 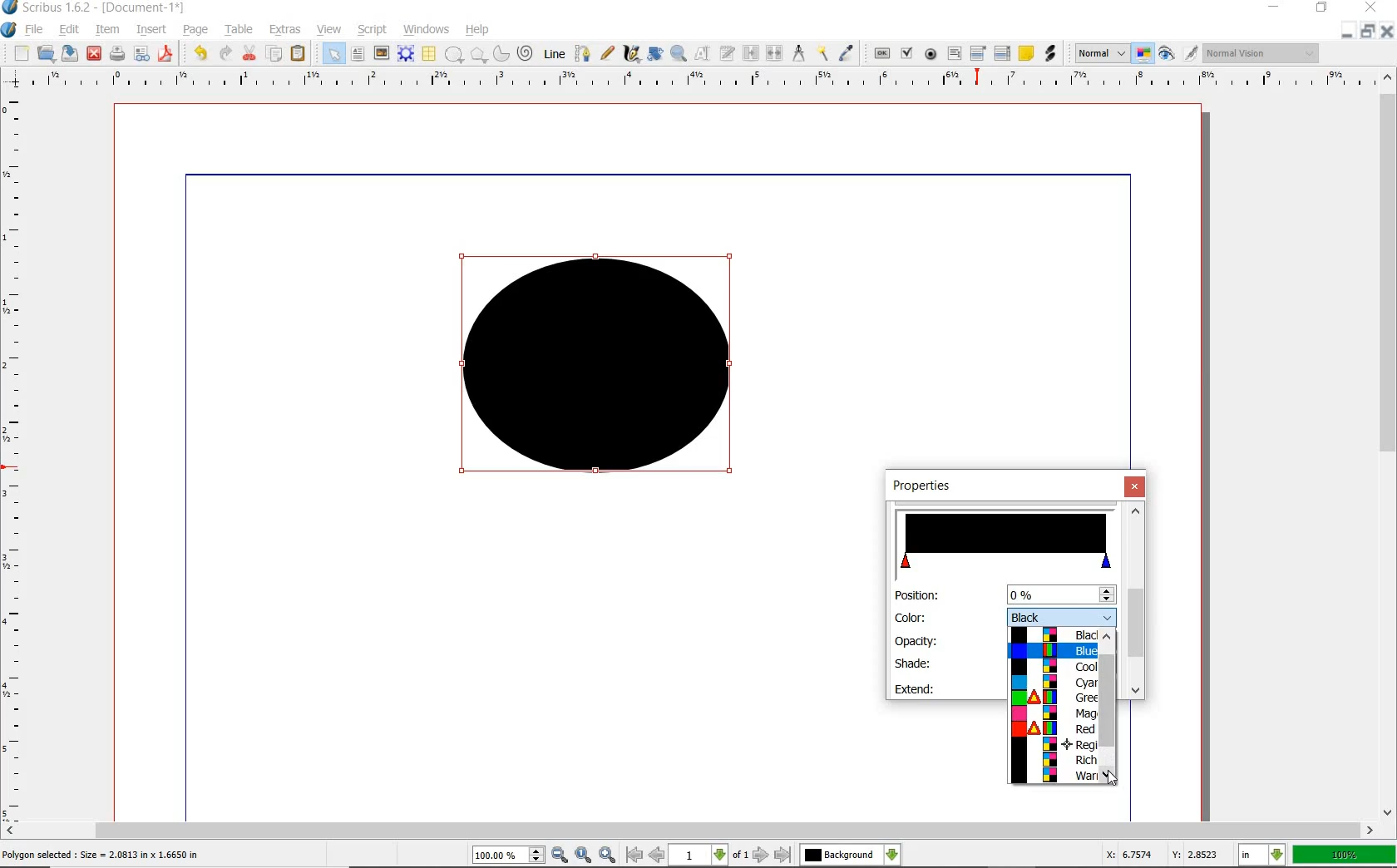 I want to click on ITEM, so click(x=108, y=28).